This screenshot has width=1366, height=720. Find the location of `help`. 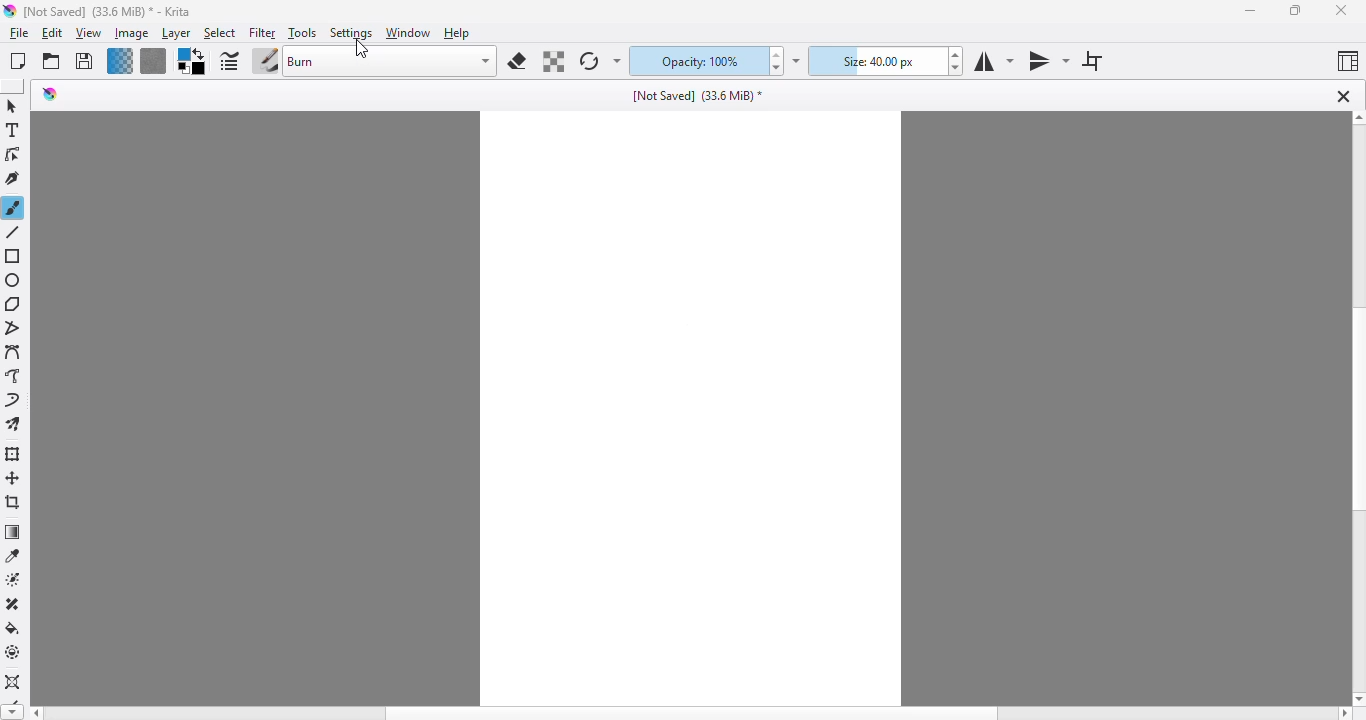

help is located at coordinates (458, 33).